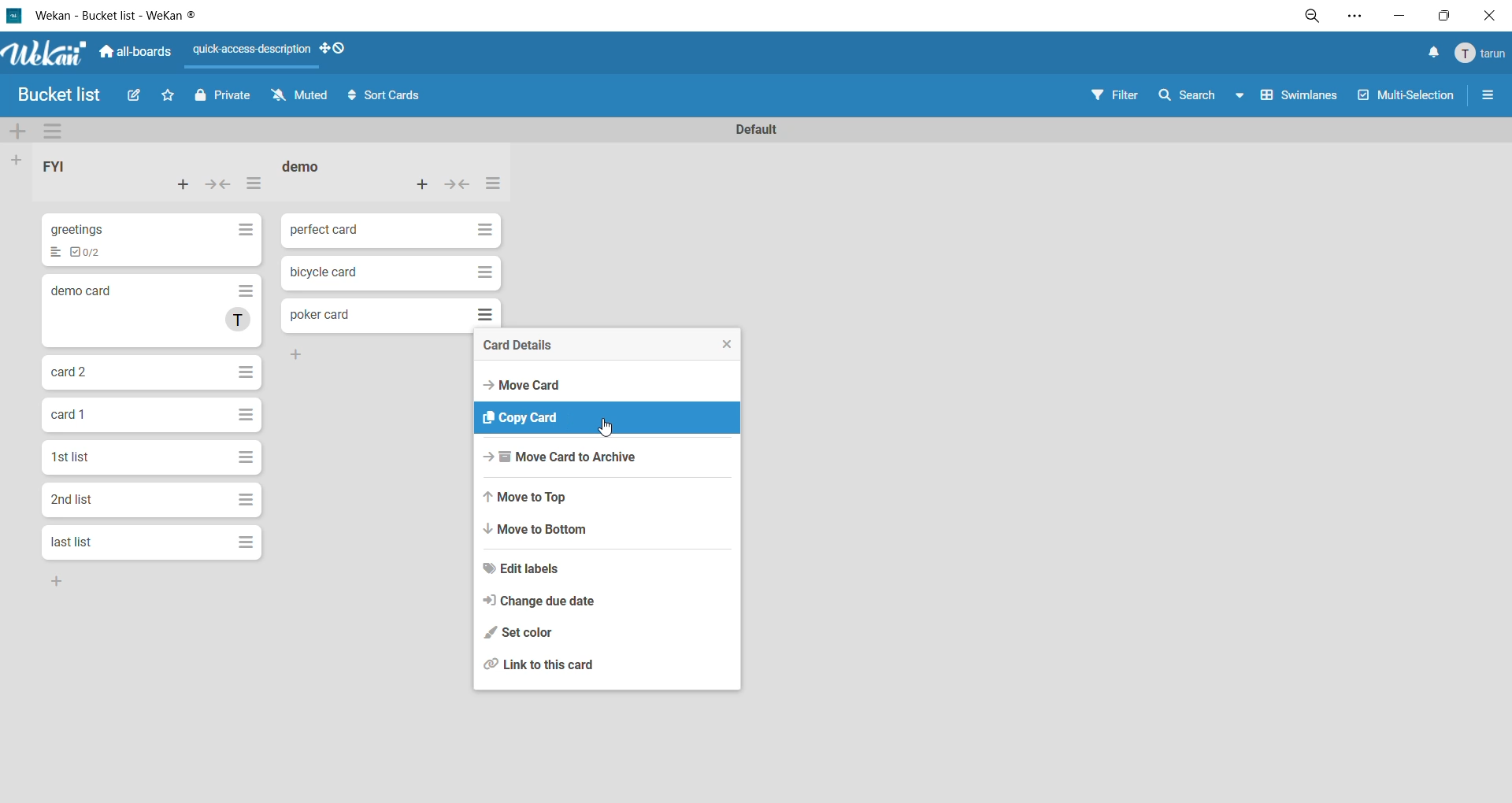 The width and height of the screenshot is (1512, 803). Describe the element at coordinates (246, 415) in the screenshot. I see `Hamburger` at that location.